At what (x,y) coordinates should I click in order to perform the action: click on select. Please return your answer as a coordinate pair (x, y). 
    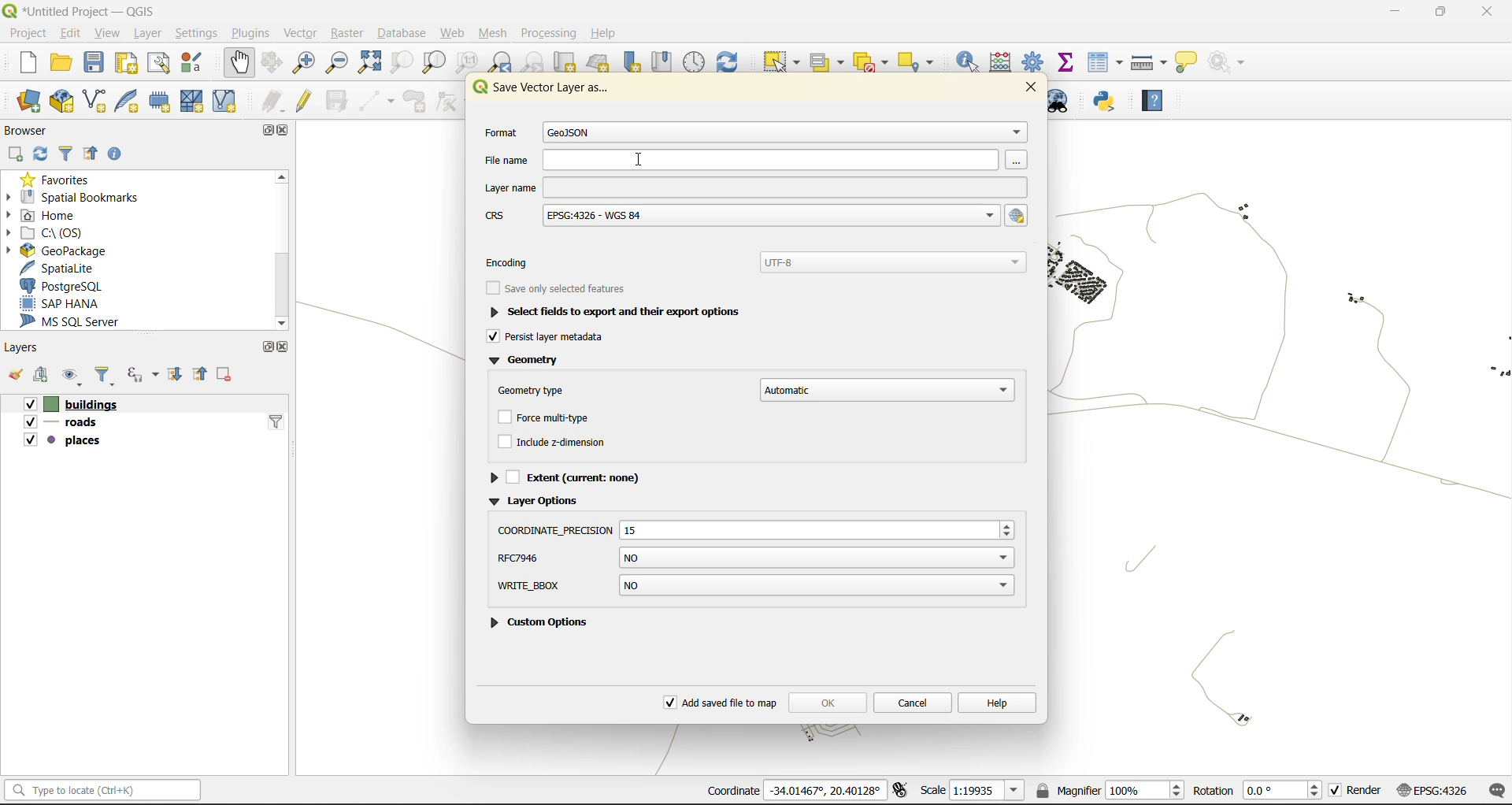
    Looking at the image, I should click on (779, 62).